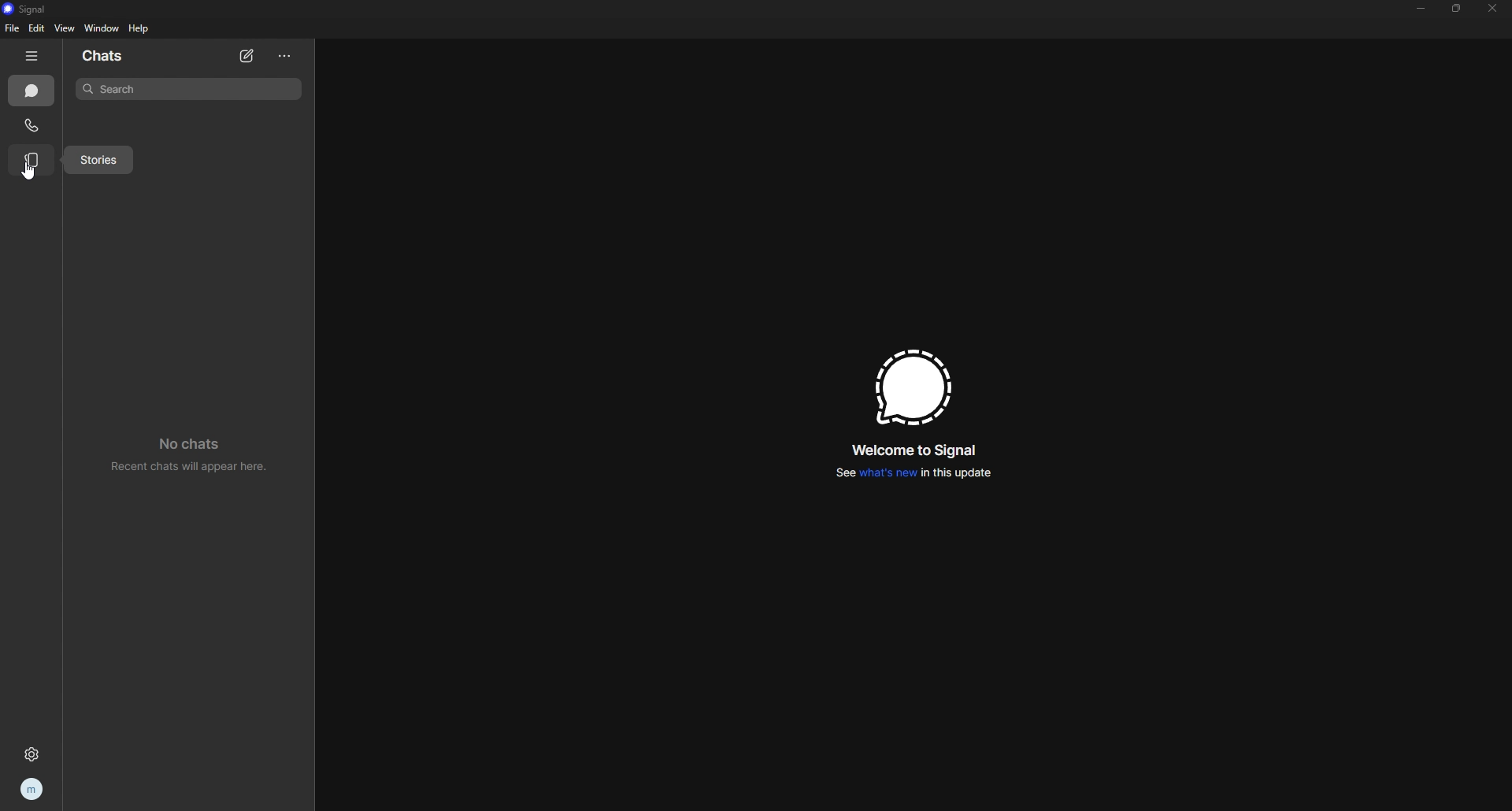  I want to click on chats, so click(116, 56).